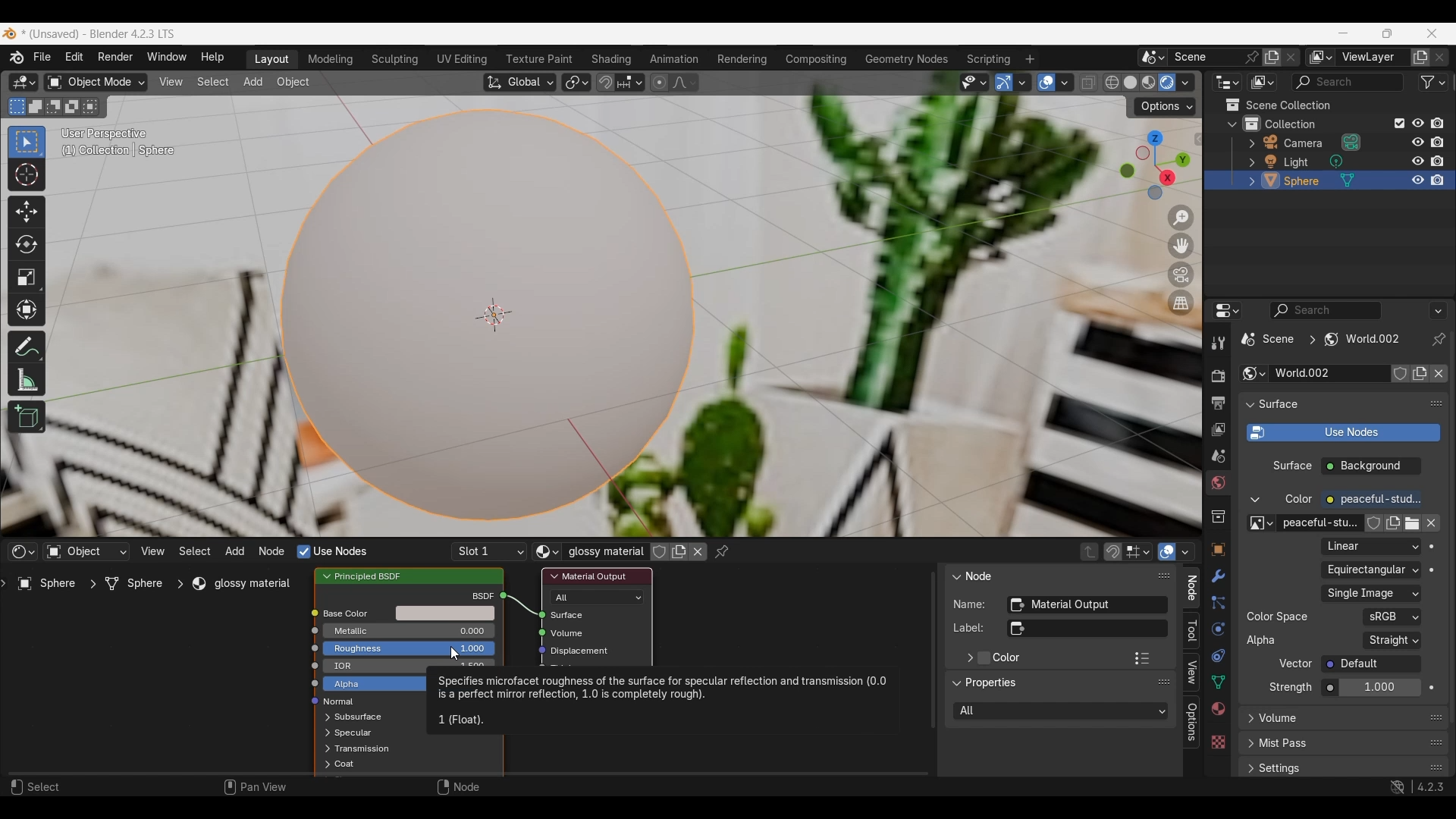 This screenshot has width=1456, height=819. Describe the element at coordinates (1400, 373) in the screenshot. I see `Fake user` at that location.